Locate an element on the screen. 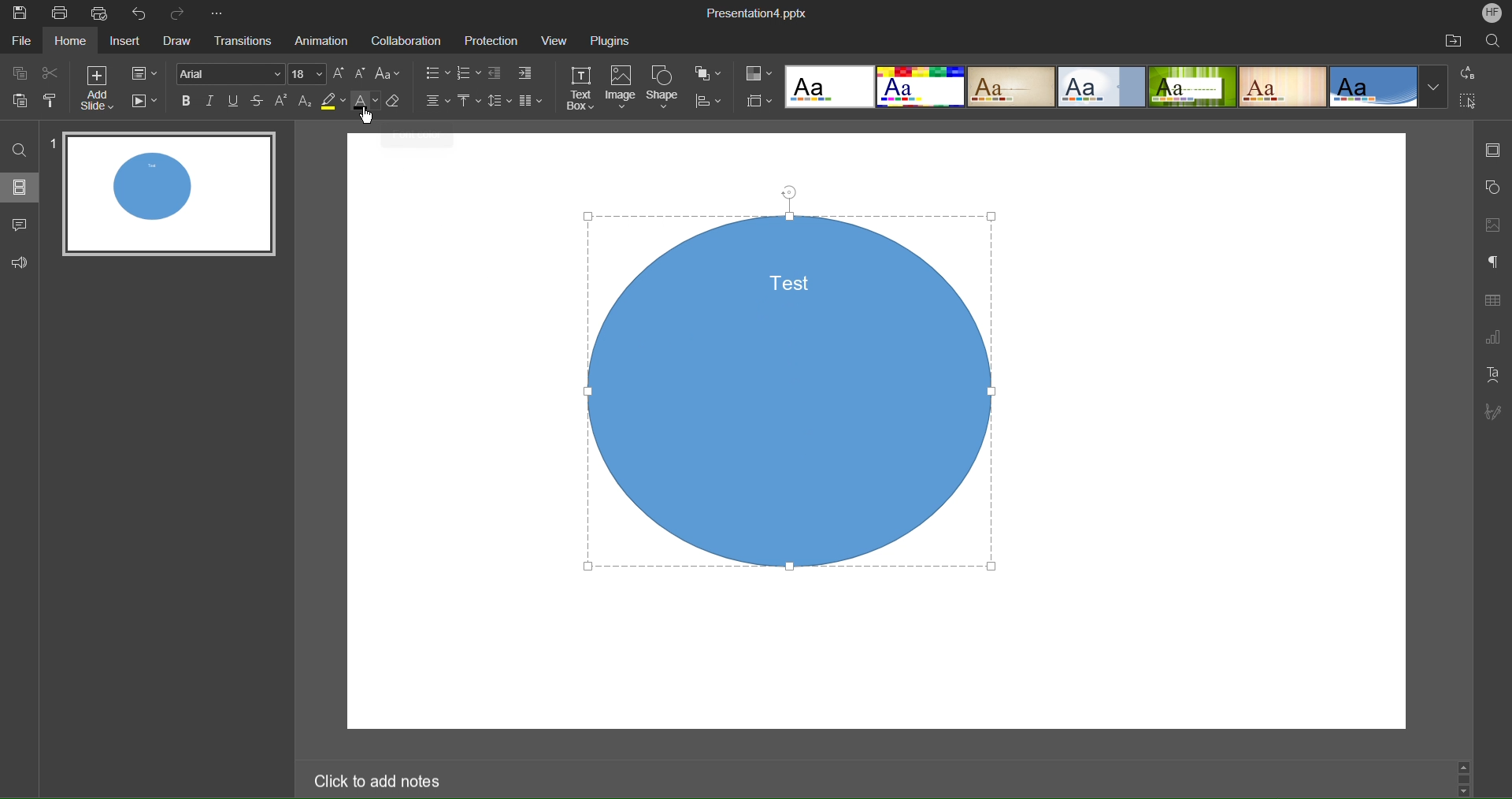 The height and width of the screenshot is (799, 1512). Table Settings is located at coordinates (1492, 301).